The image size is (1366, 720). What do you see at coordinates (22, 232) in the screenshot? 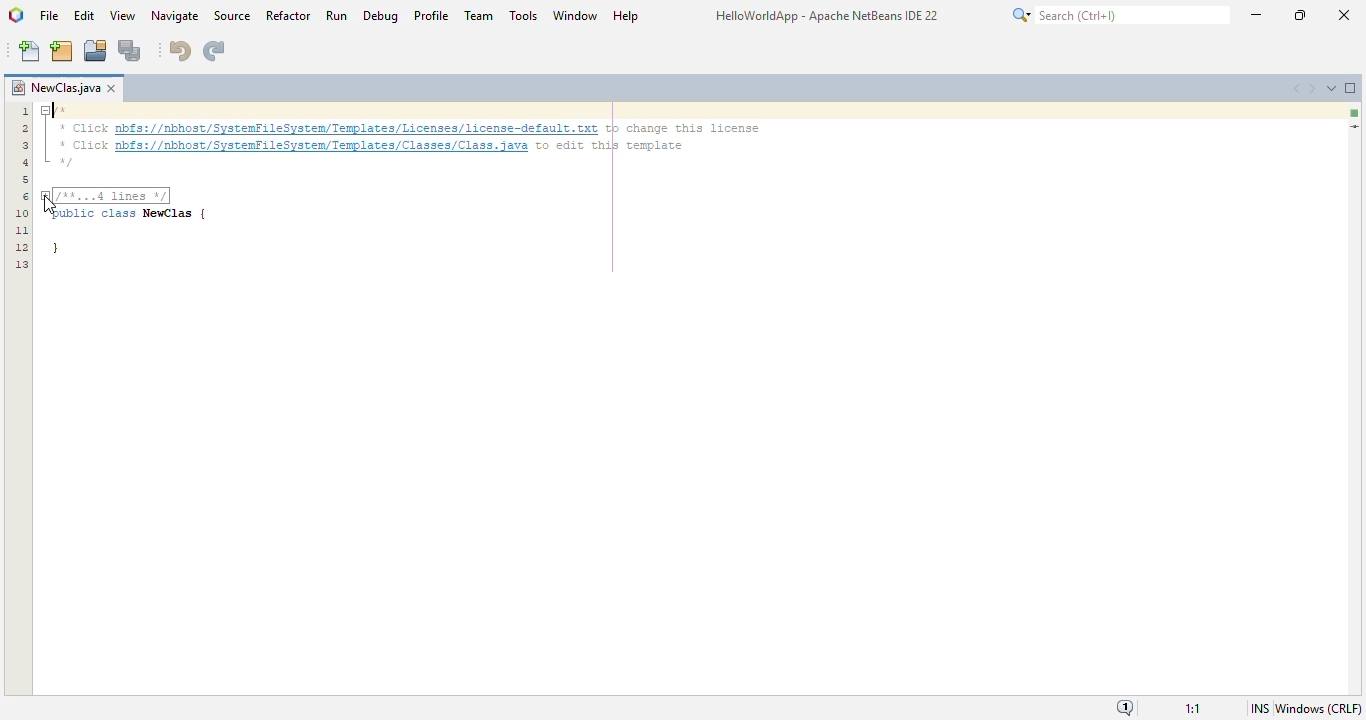
I see `4 lines collapsed` at bounding box center [22, 232].